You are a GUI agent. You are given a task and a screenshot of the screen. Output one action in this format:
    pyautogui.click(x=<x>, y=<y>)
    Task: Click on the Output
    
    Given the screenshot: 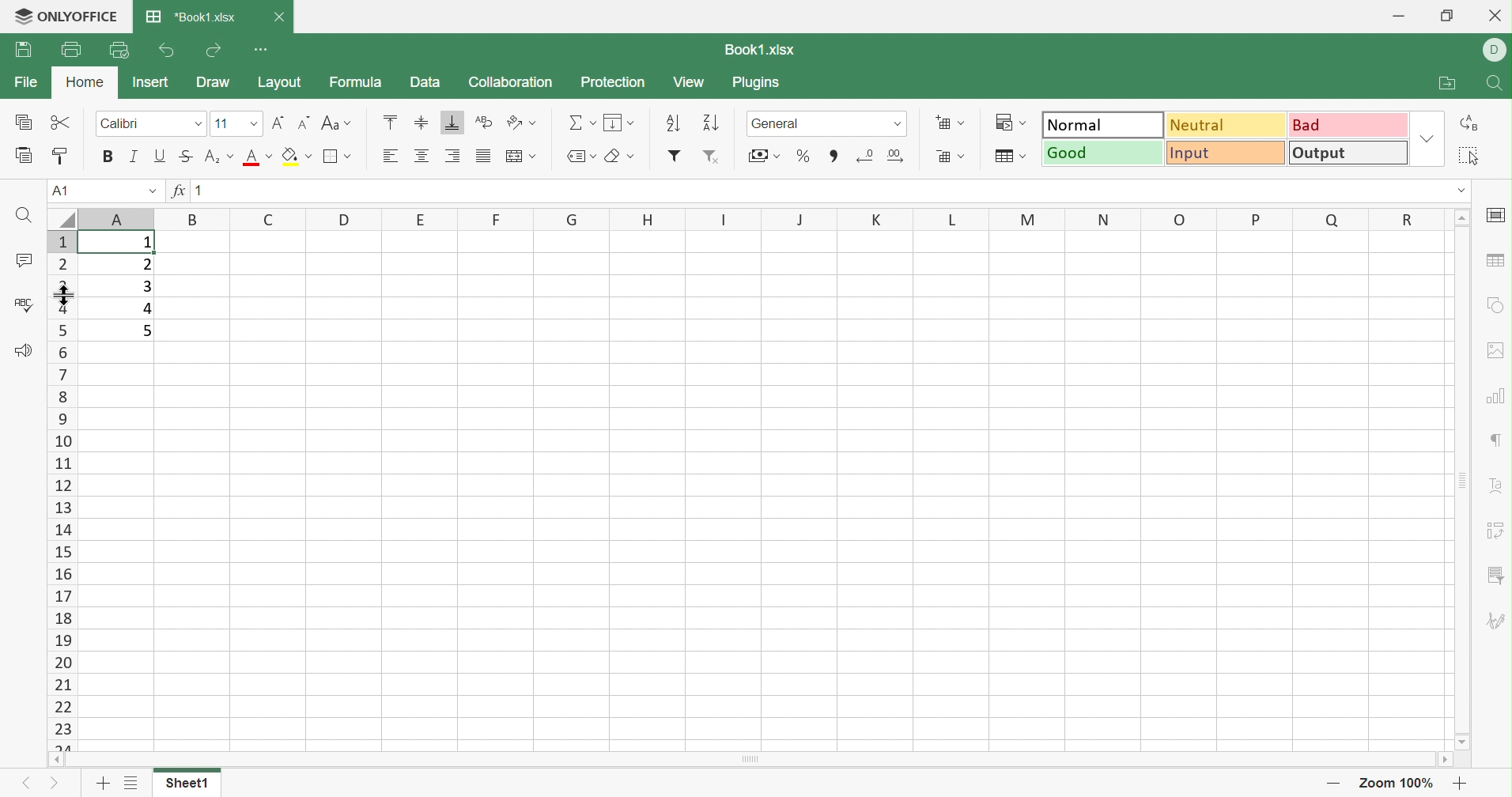 What is the action you would take?
    pyautogui.click(x=1348, y=153)
    